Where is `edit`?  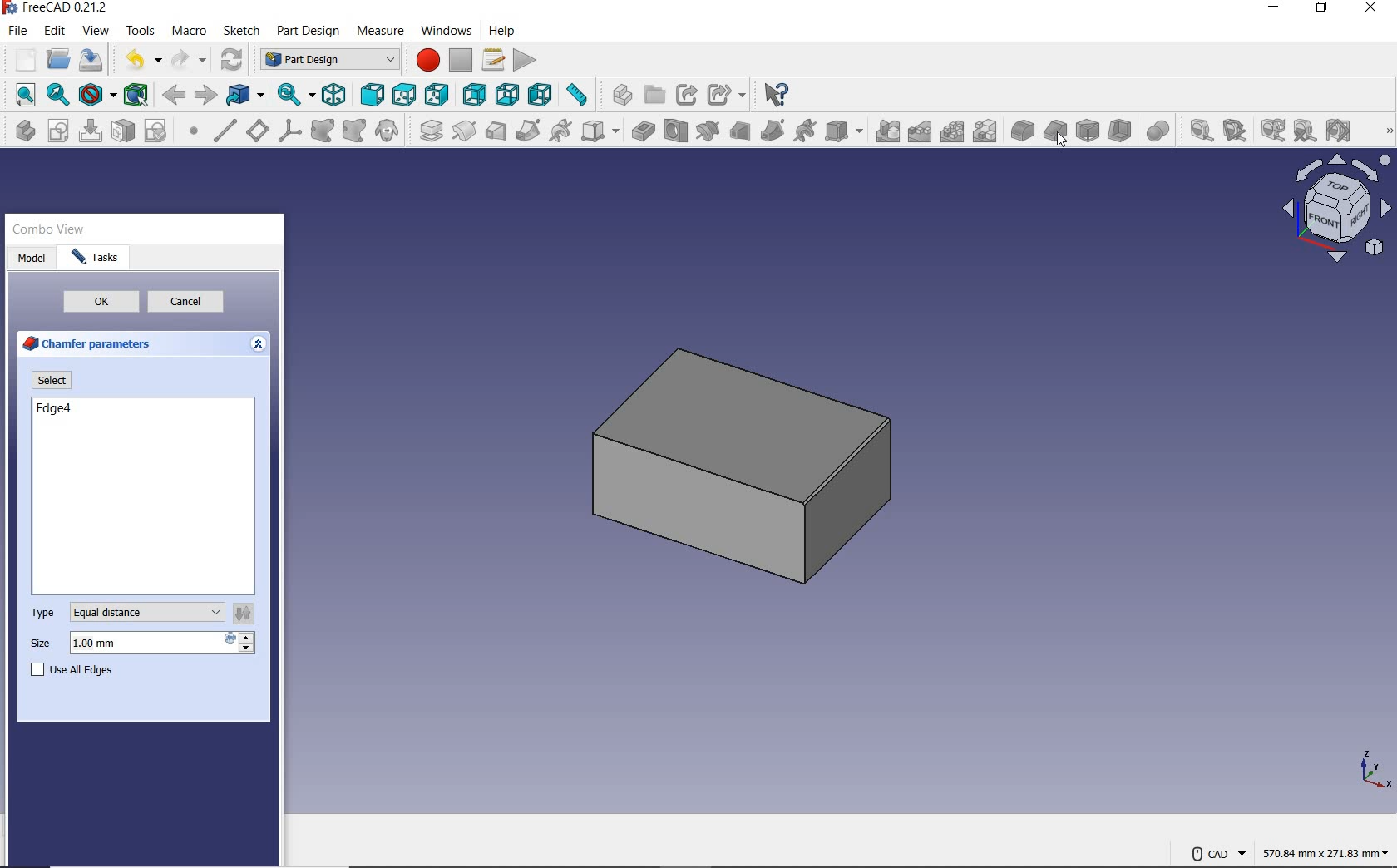 edit is located at coordinates (55, 31).